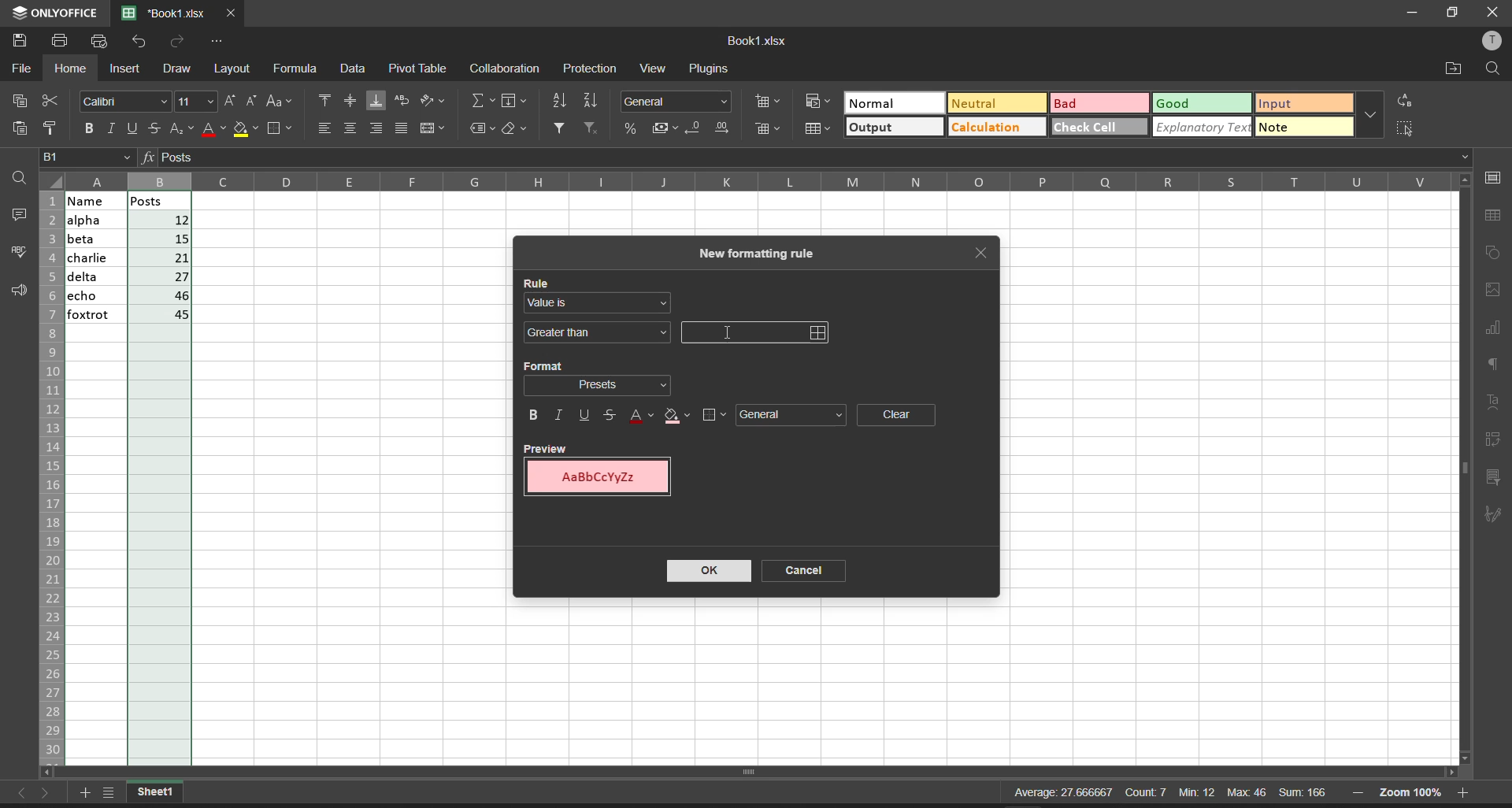  What do you see at coordinates (759, 252) in the screenshot?
I see `new formating rule` at bounding box center [759, 252].